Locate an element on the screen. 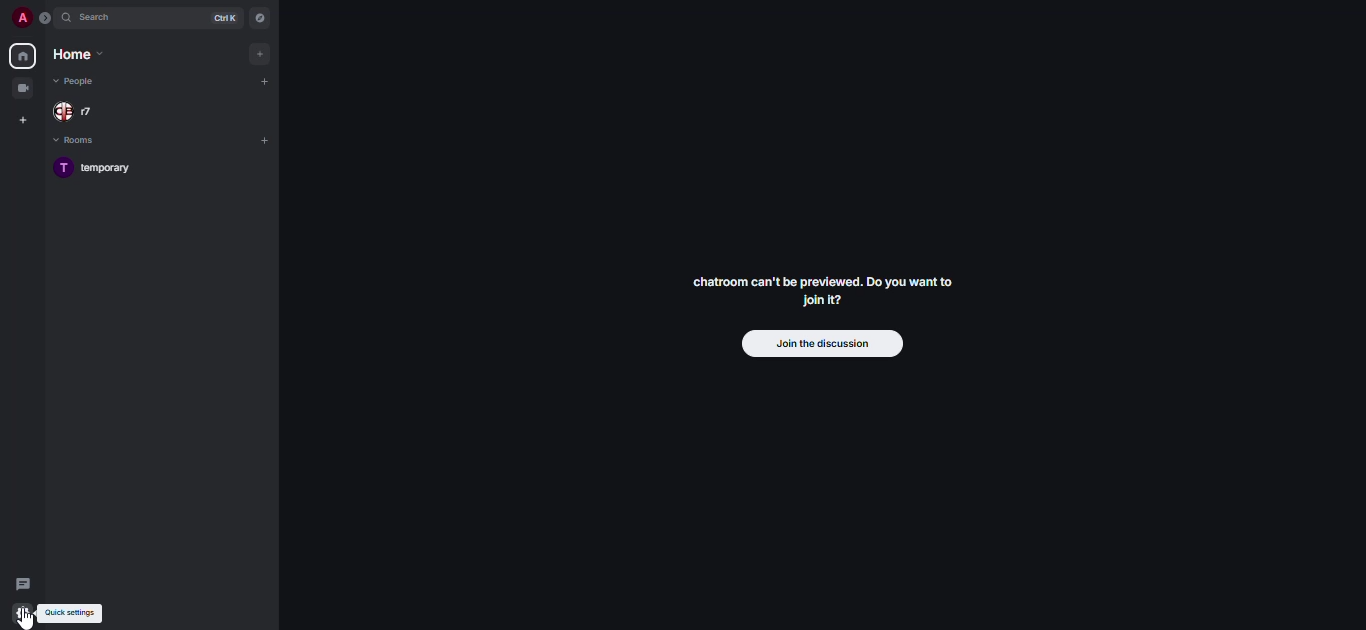 This screenshot has width=1366, height=630. rooms is located at coordinates (75, 141).